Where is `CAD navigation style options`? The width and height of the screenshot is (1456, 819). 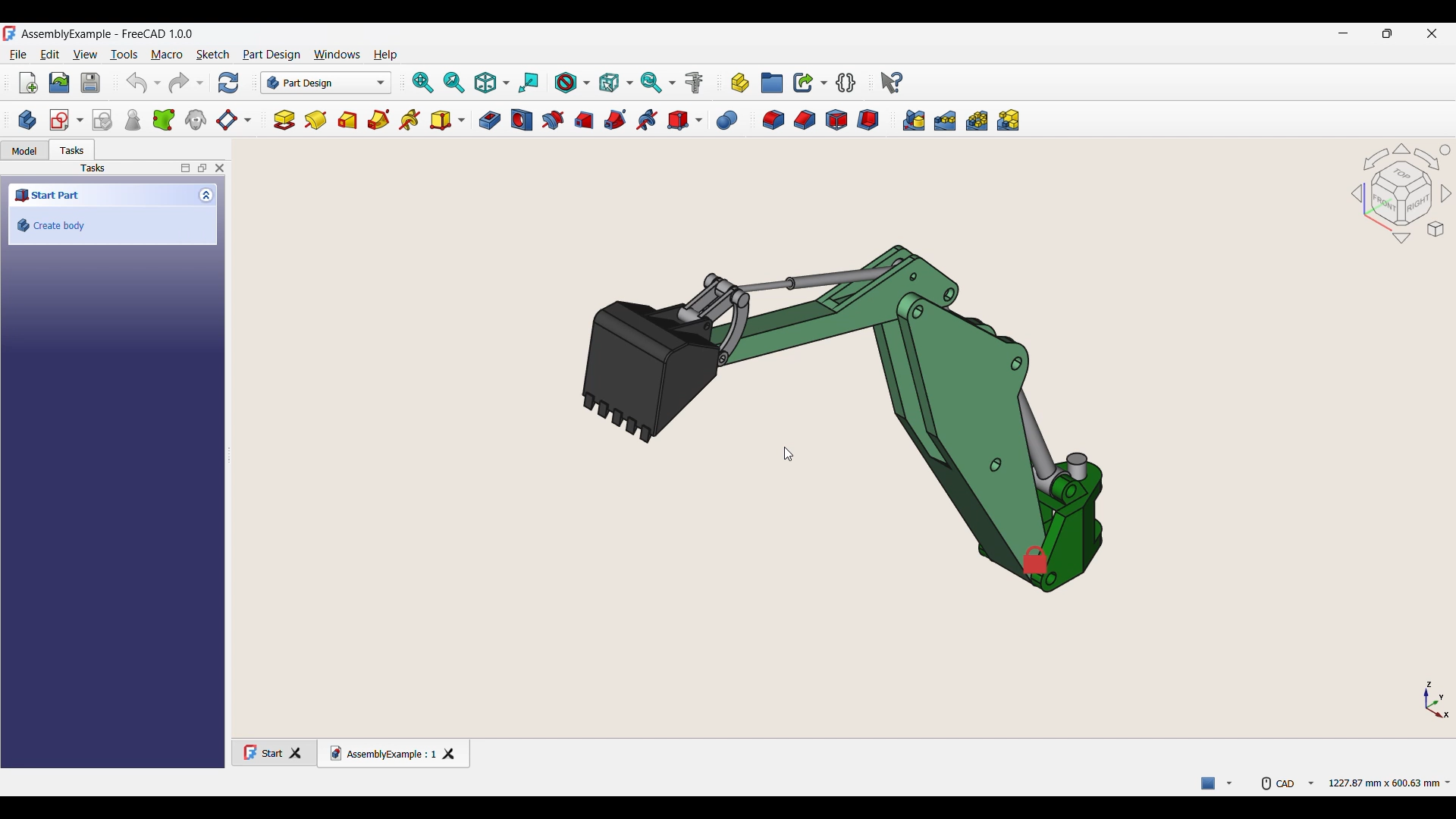 CAD navigation style options is located at coordinates (1288, 782).